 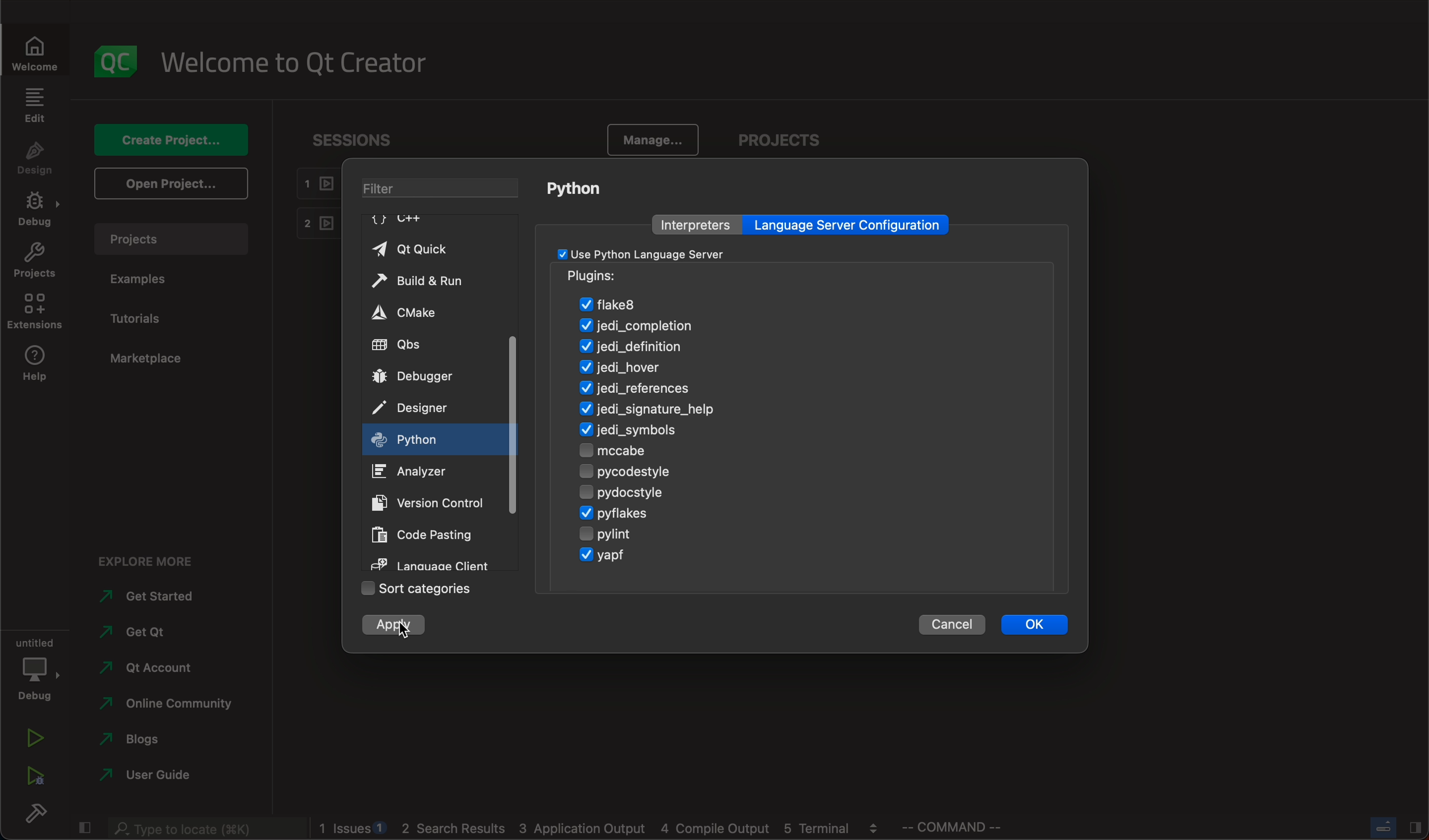 I want to click on scrollbar, so click(x=511, y=394).